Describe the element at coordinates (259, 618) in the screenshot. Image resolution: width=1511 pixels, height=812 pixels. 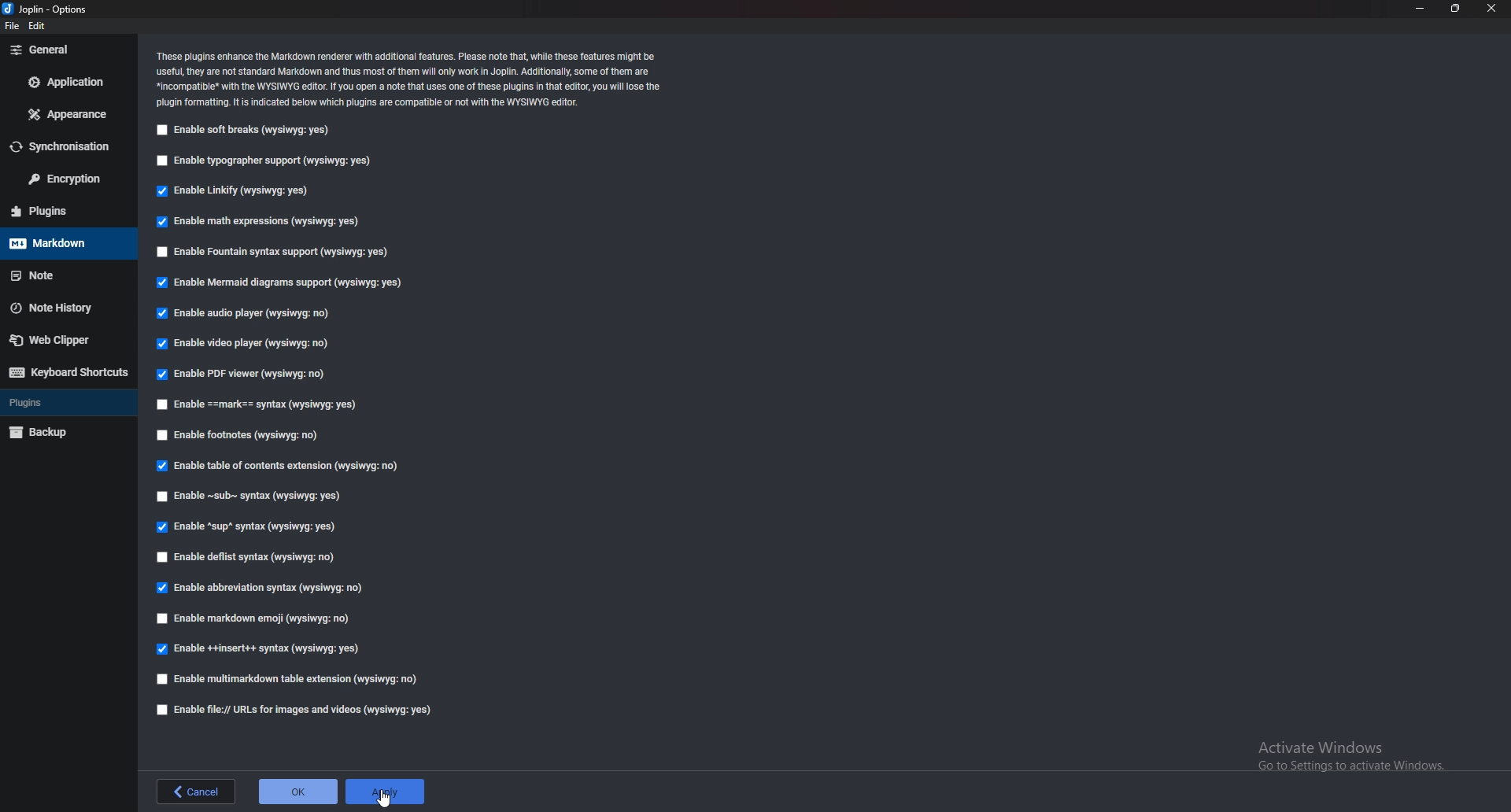
I see `enable Markdown Emoji` at that location.